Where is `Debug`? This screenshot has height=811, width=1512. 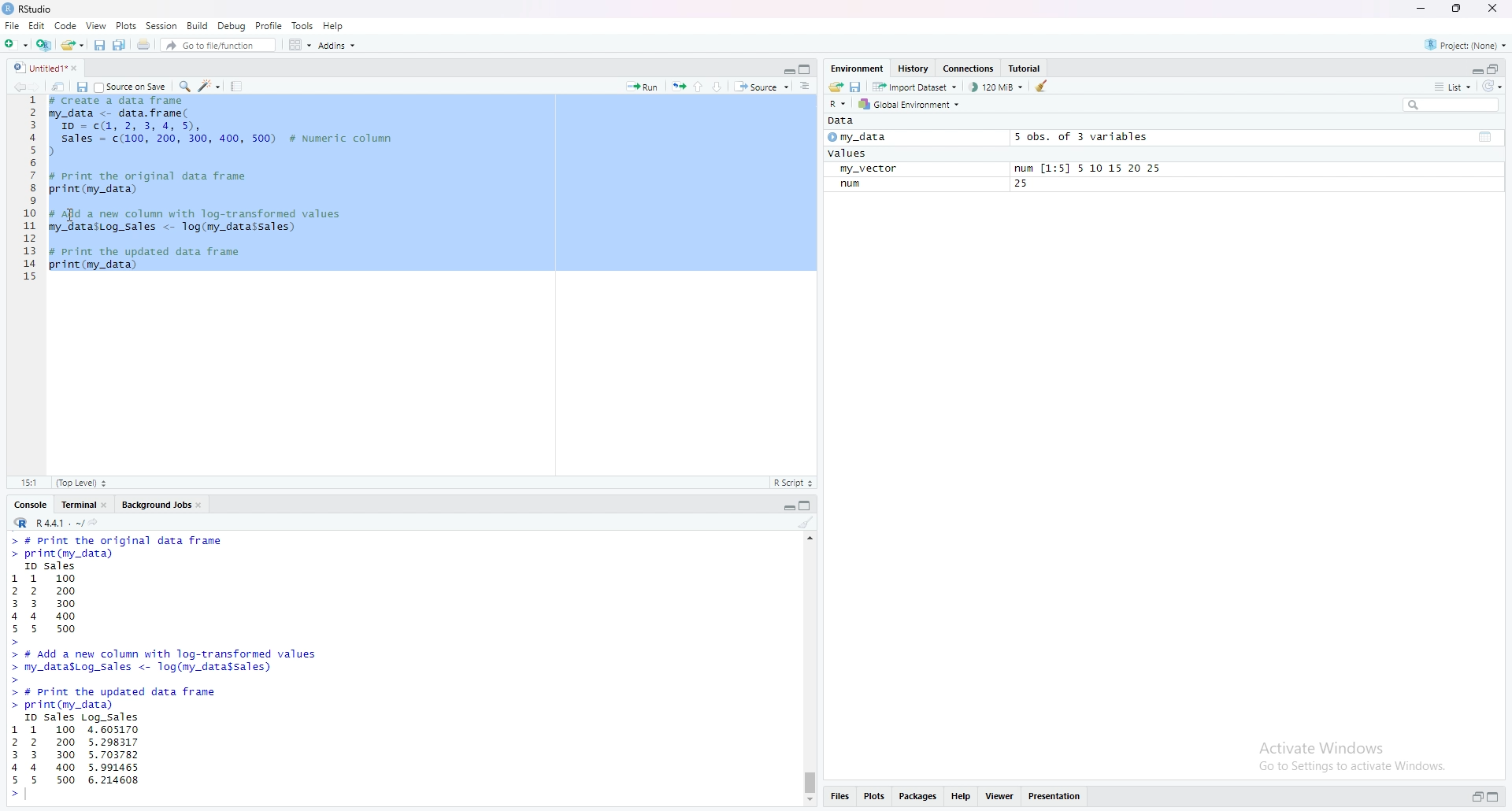 Debug is located at coordinates (233, 25).